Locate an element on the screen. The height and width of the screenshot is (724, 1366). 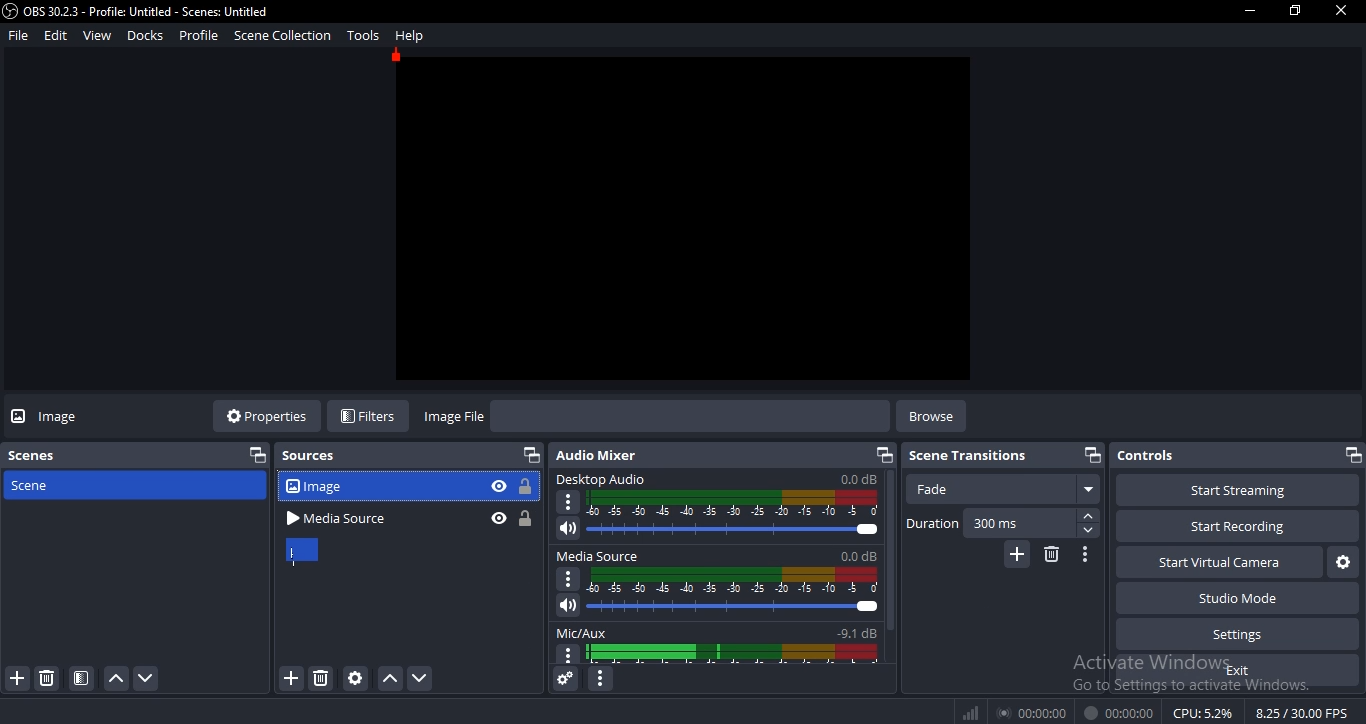
file is located at coordinates (18, 35).